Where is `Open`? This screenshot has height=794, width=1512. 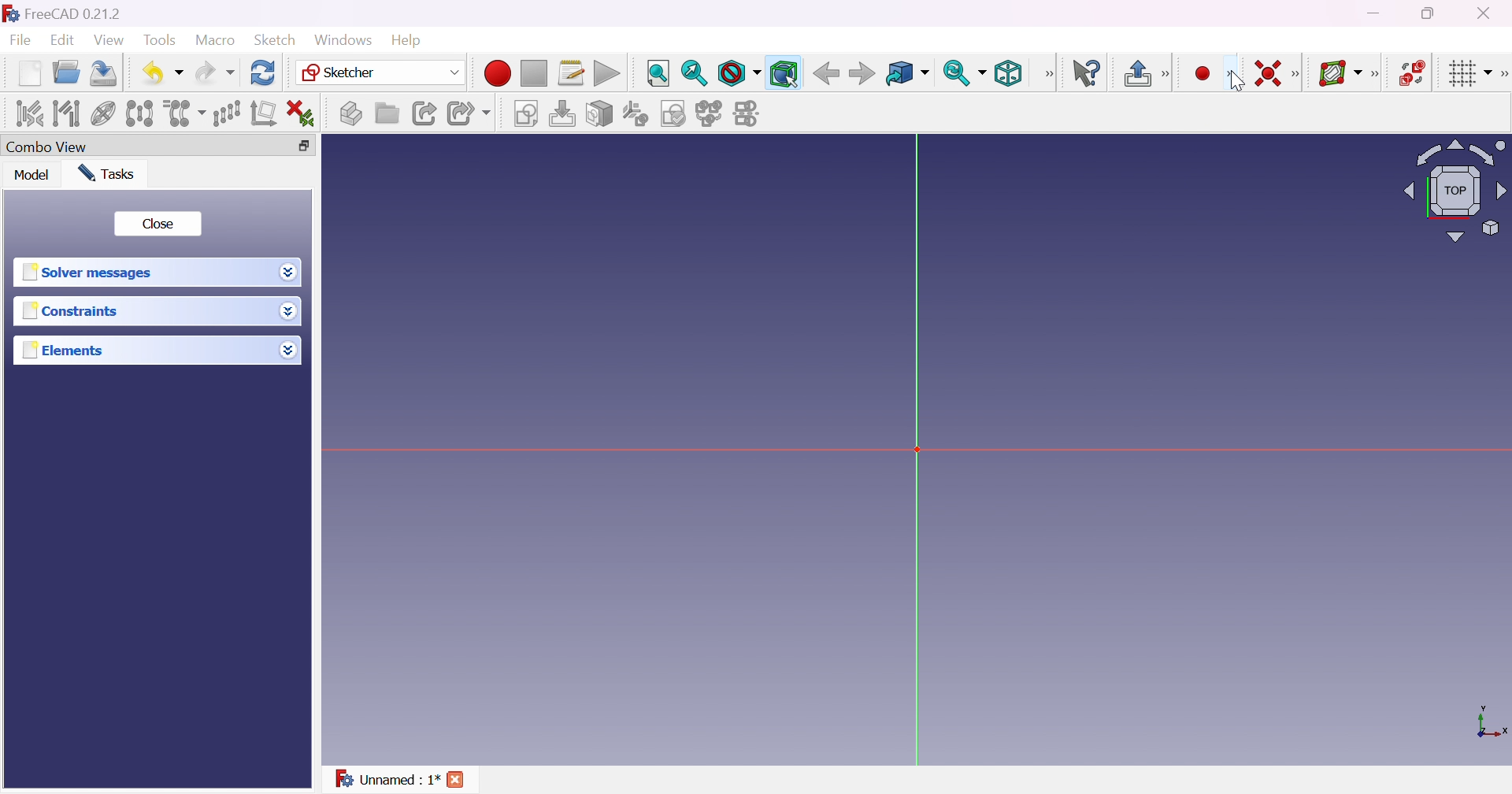
Open is located at coordinates (67, 72).